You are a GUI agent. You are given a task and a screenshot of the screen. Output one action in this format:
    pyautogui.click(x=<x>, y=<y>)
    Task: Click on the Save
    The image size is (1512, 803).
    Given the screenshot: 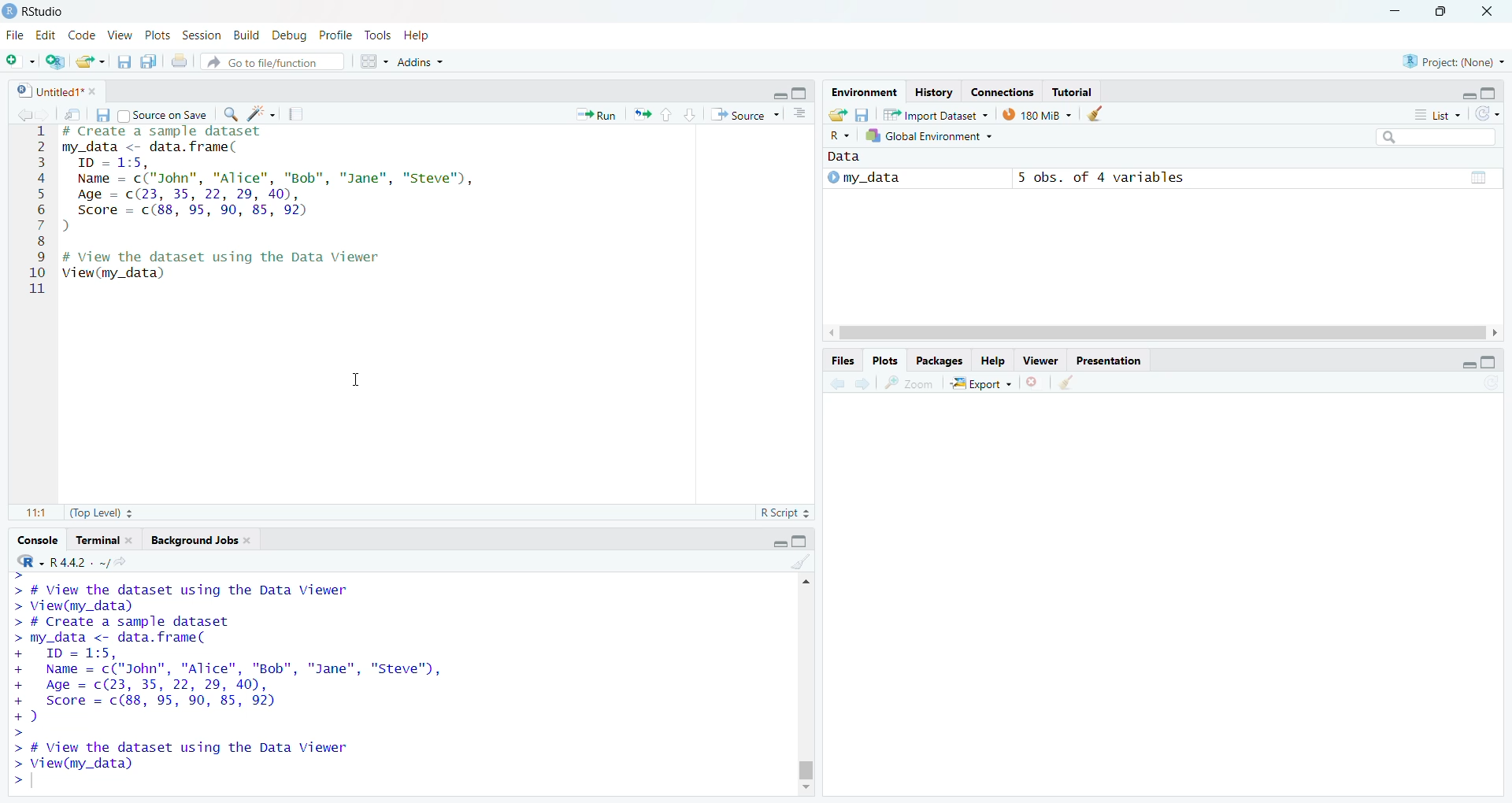 What is the action you would take?
    pyautogui.click(x=104, y=113)
    